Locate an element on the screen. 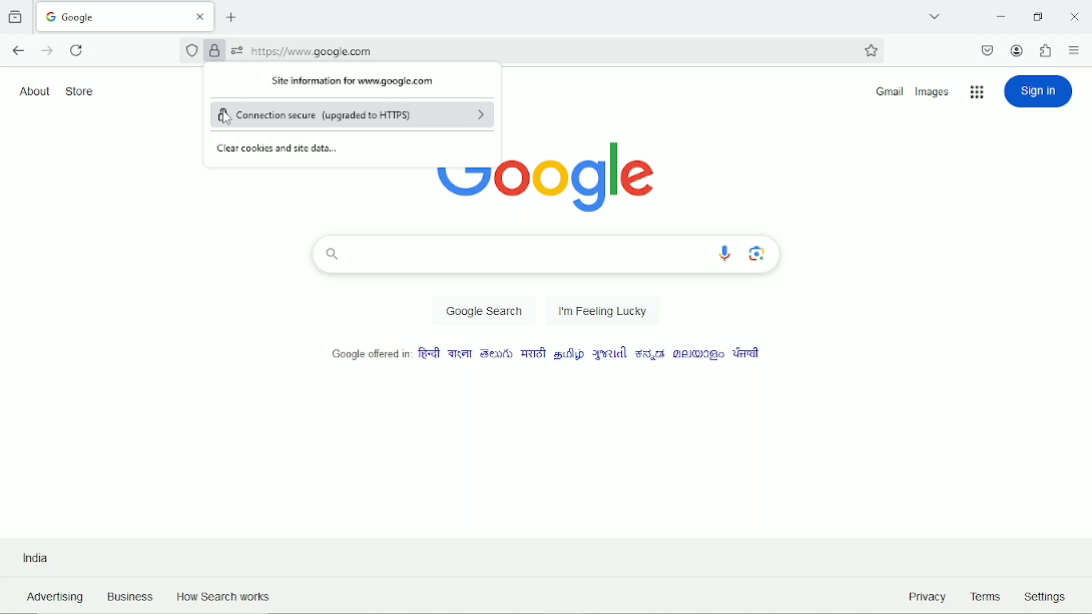 This screenshot has width=1092, height=614. language is located at coordinates (608, 355).